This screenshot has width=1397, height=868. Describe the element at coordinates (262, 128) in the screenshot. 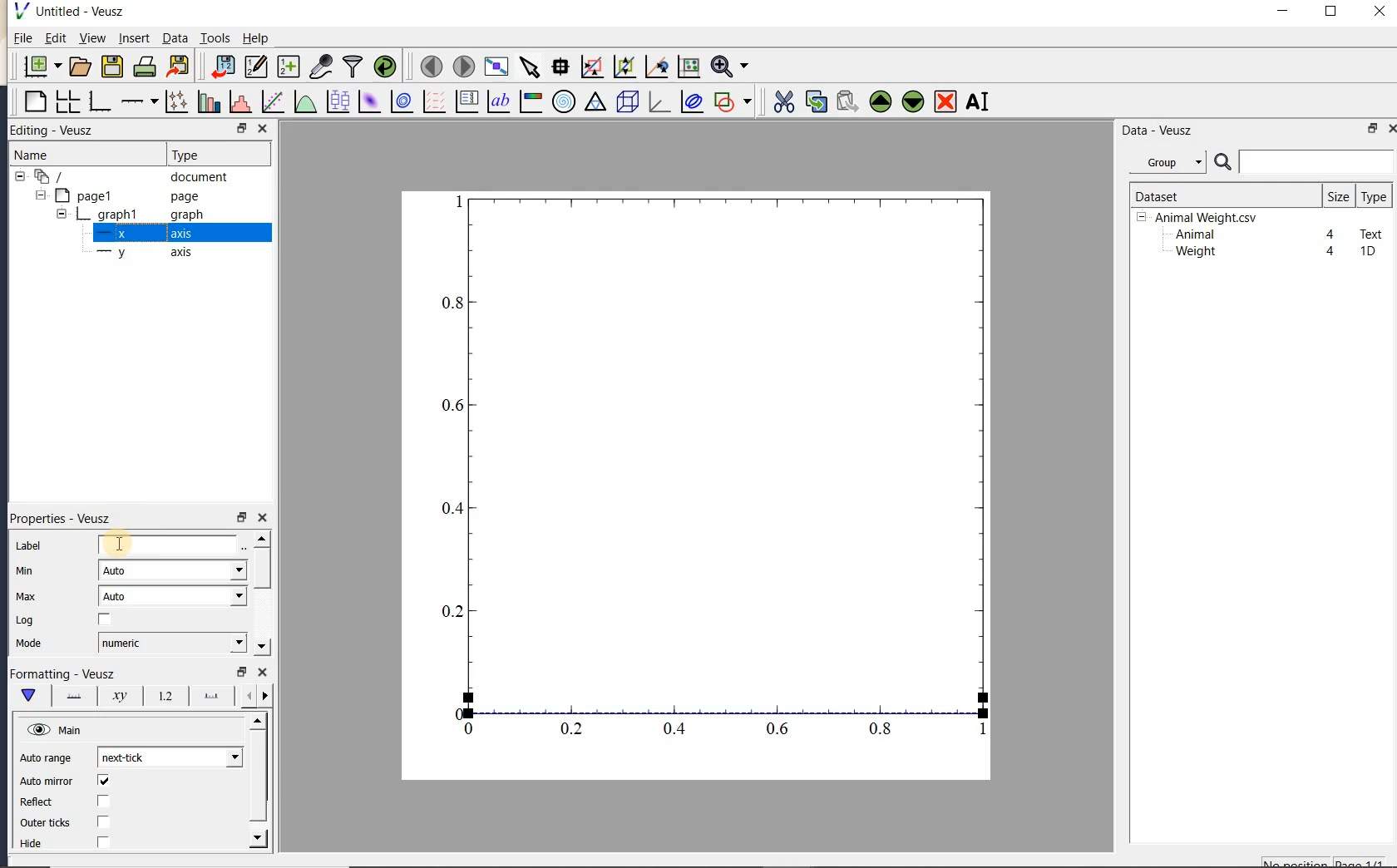

I see `CLOSE` at that location.